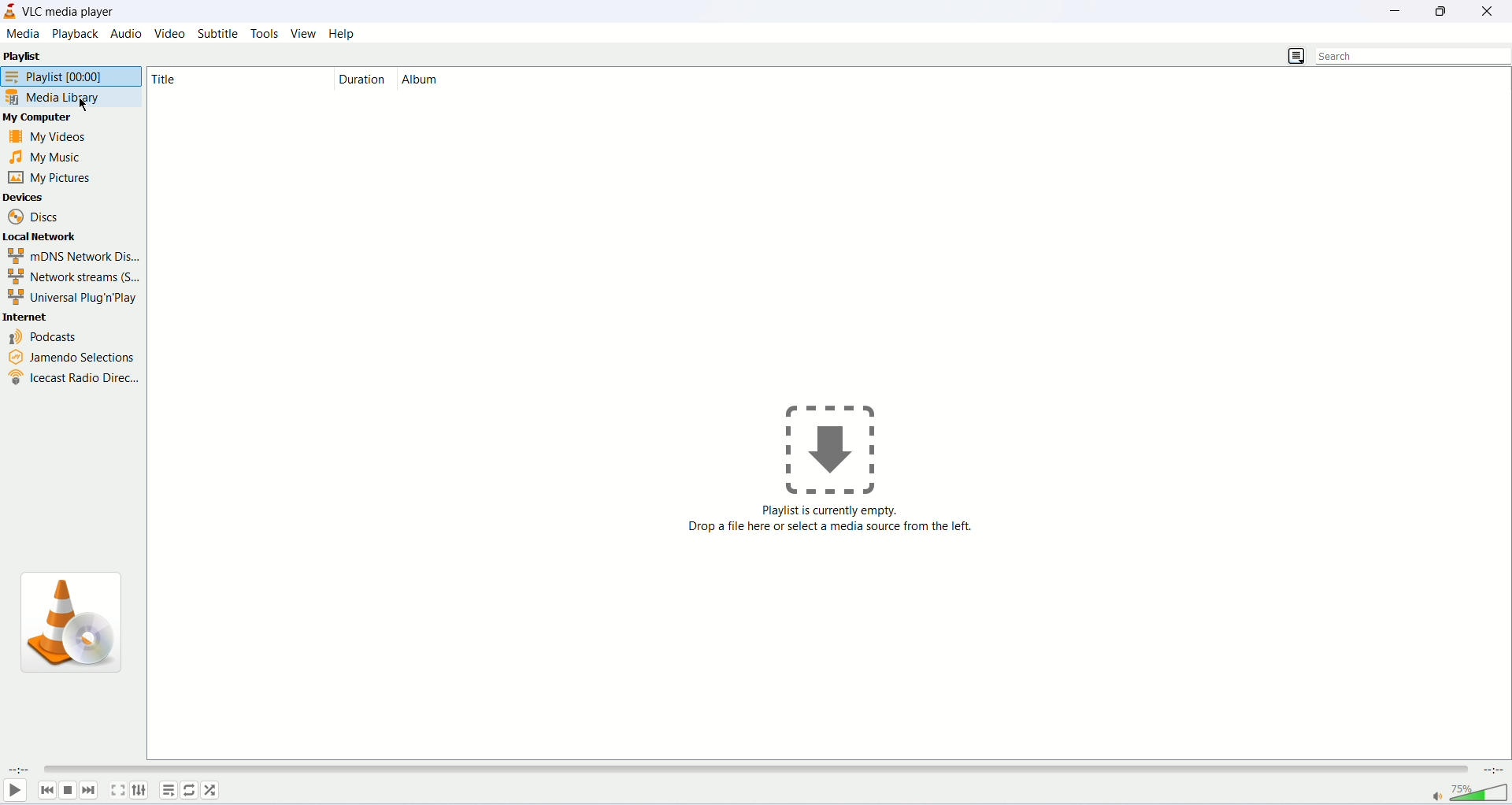  I want to click on view, so click(303, 33).